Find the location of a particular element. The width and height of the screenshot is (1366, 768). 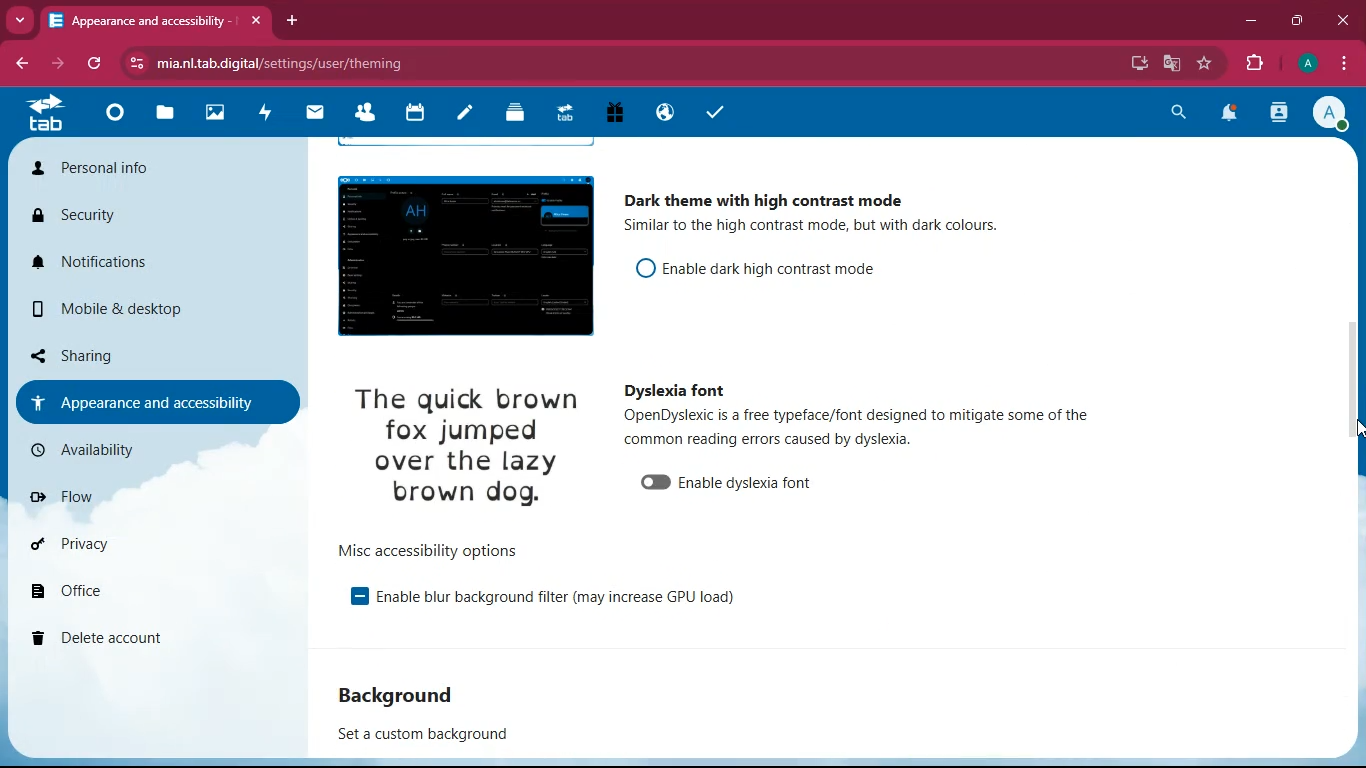

mobile is located at coordinates (137, 308).